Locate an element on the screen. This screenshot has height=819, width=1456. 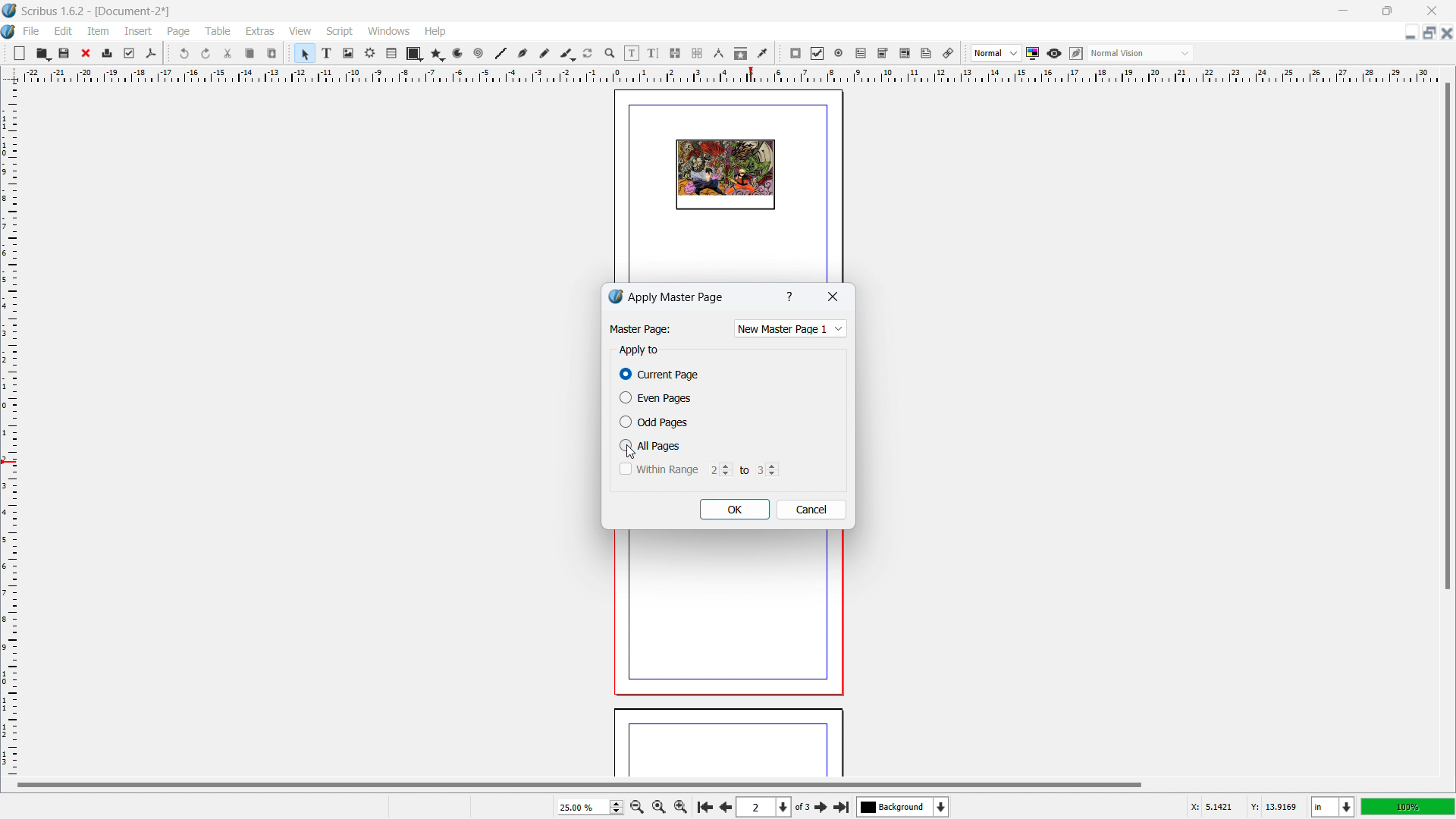
next page is located at coordinates (723, 805).